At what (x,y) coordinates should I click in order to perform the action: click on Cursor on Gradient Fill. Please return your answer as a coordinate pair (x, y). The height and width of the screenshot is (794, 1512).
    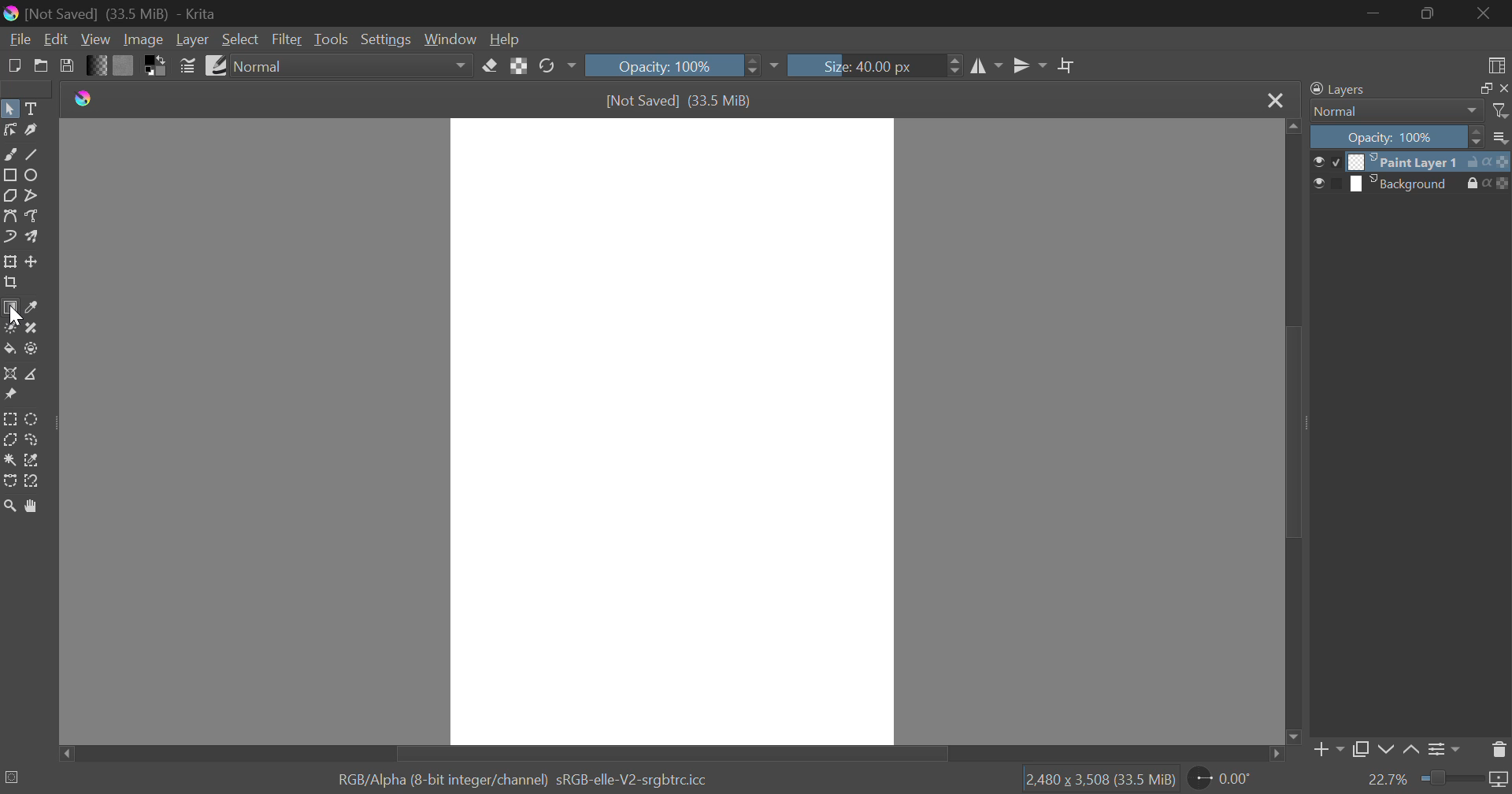
    Looking at the image, I should click on (9, 310).